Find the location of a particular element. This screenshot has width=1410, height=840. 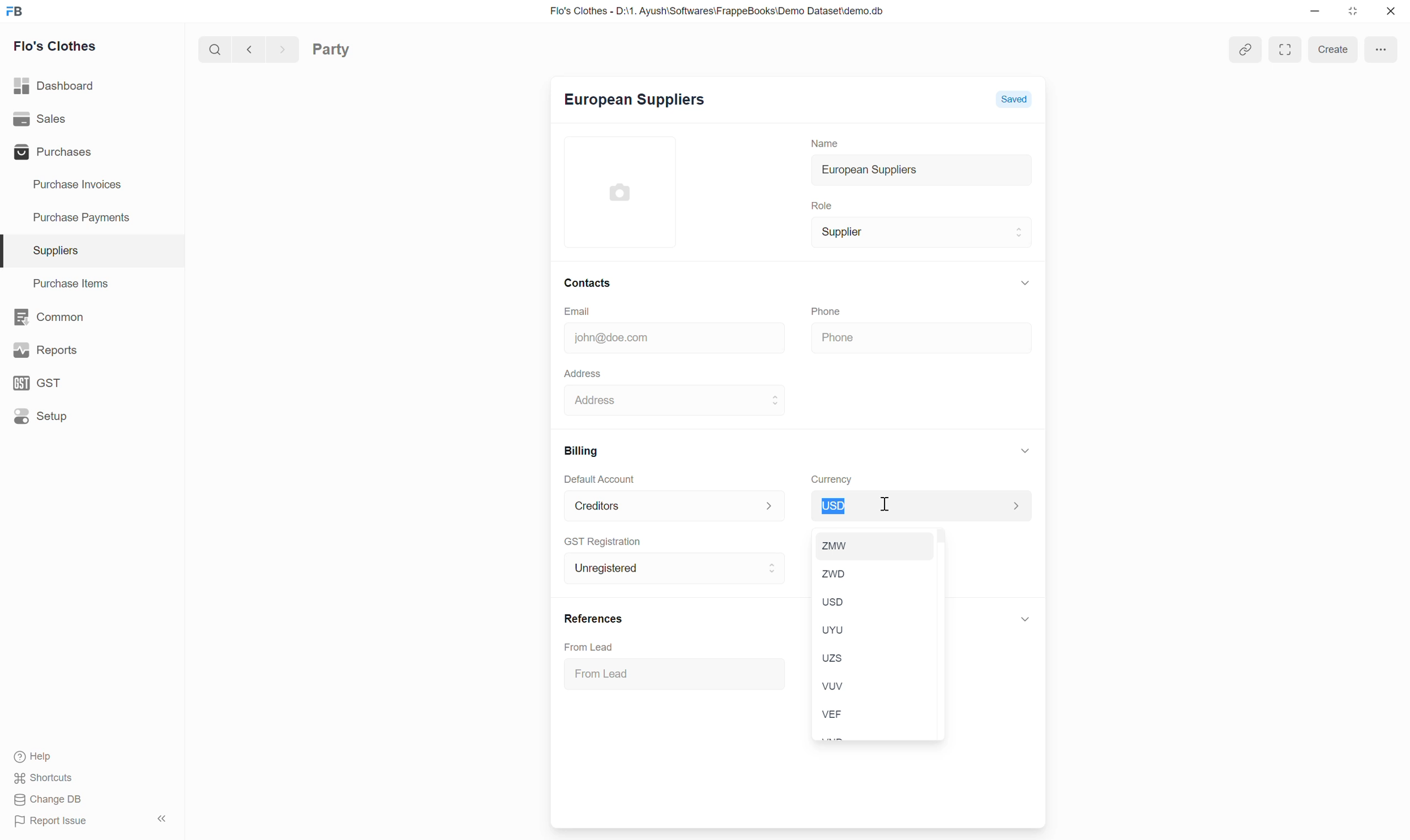

Setup is located at coordinates (45, 417).